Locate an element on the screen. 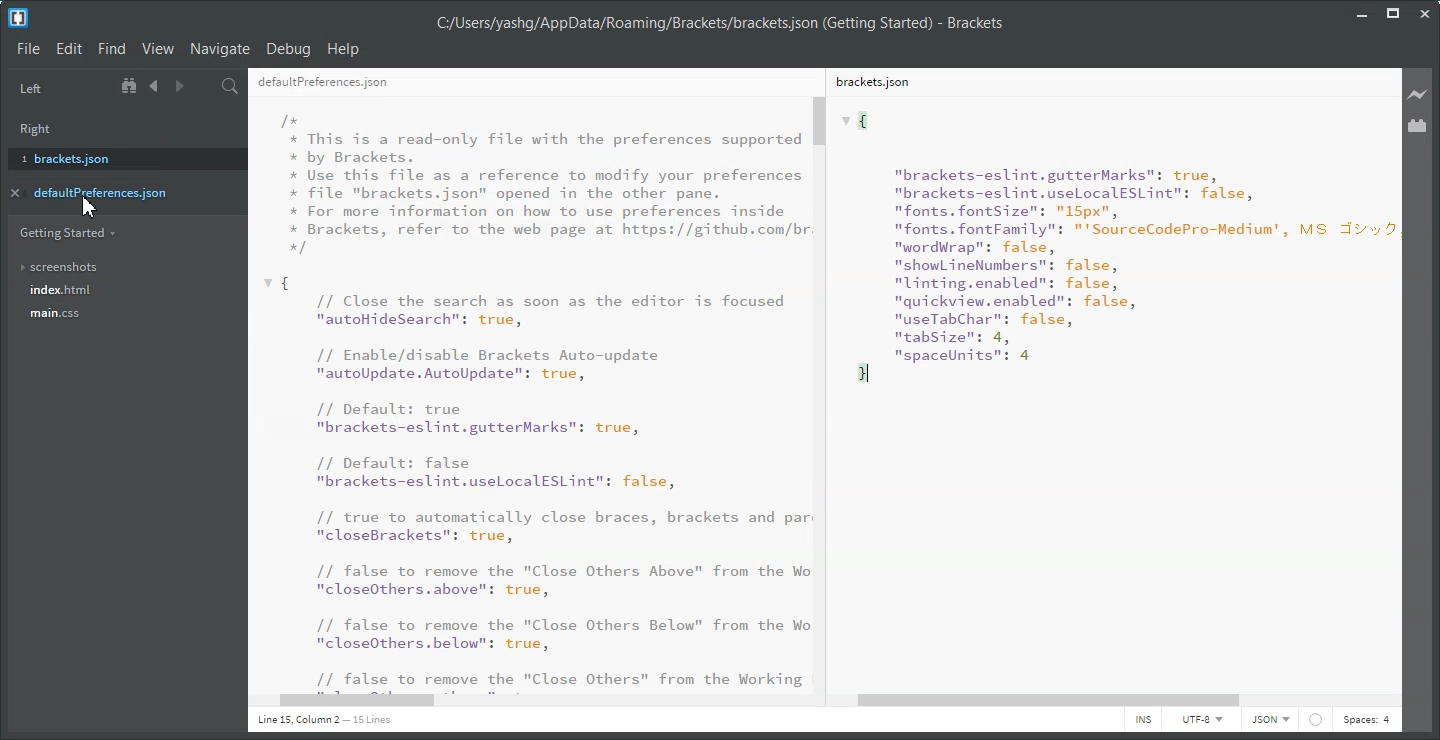 This screenshot has height=740, width=1440. HTML is located at coordinates (1269, 721).